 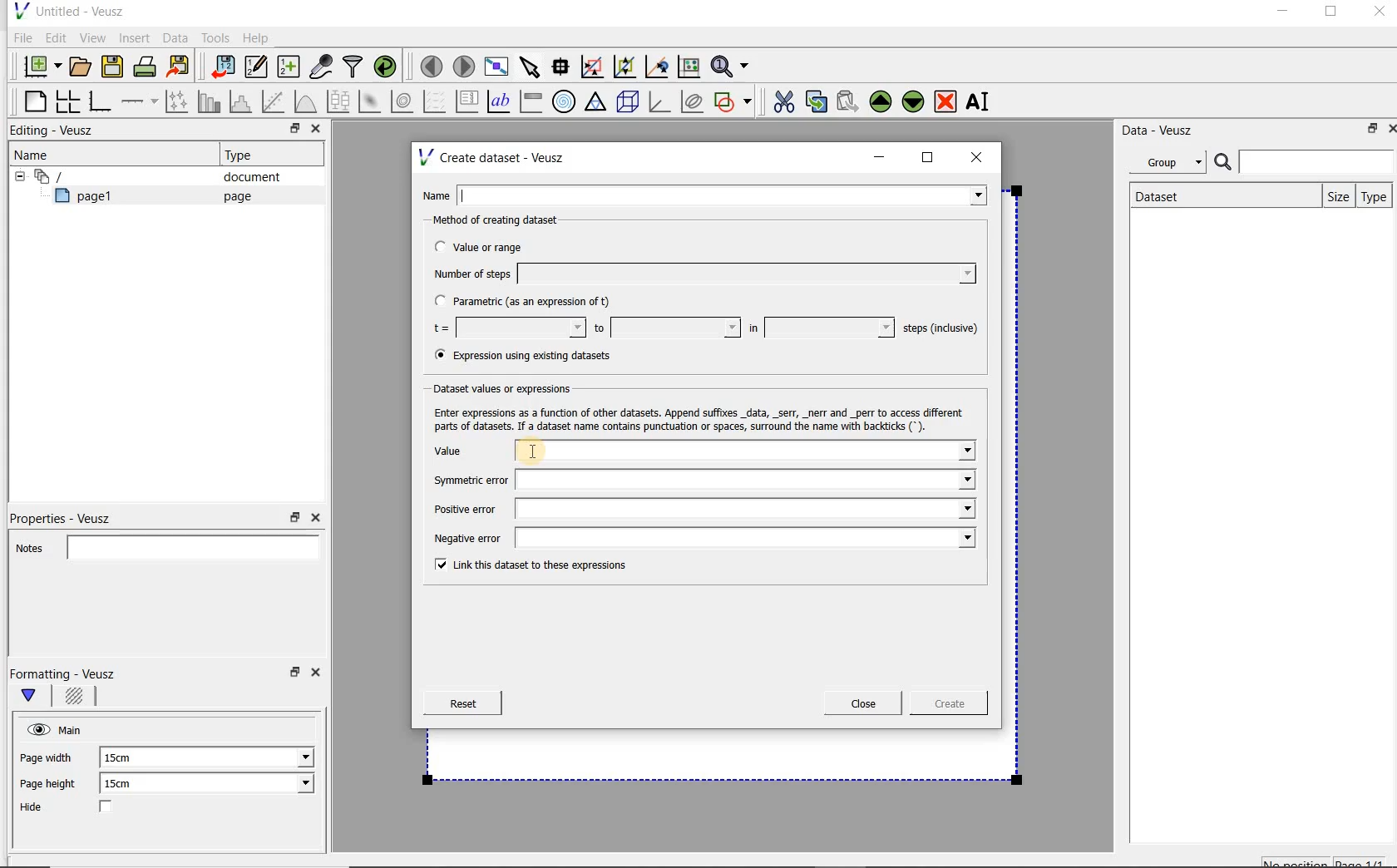 What do you see at coordinates (689, 66) in the screenshot?
I see `click to reset graph axes` at bounding box center [689, 66].